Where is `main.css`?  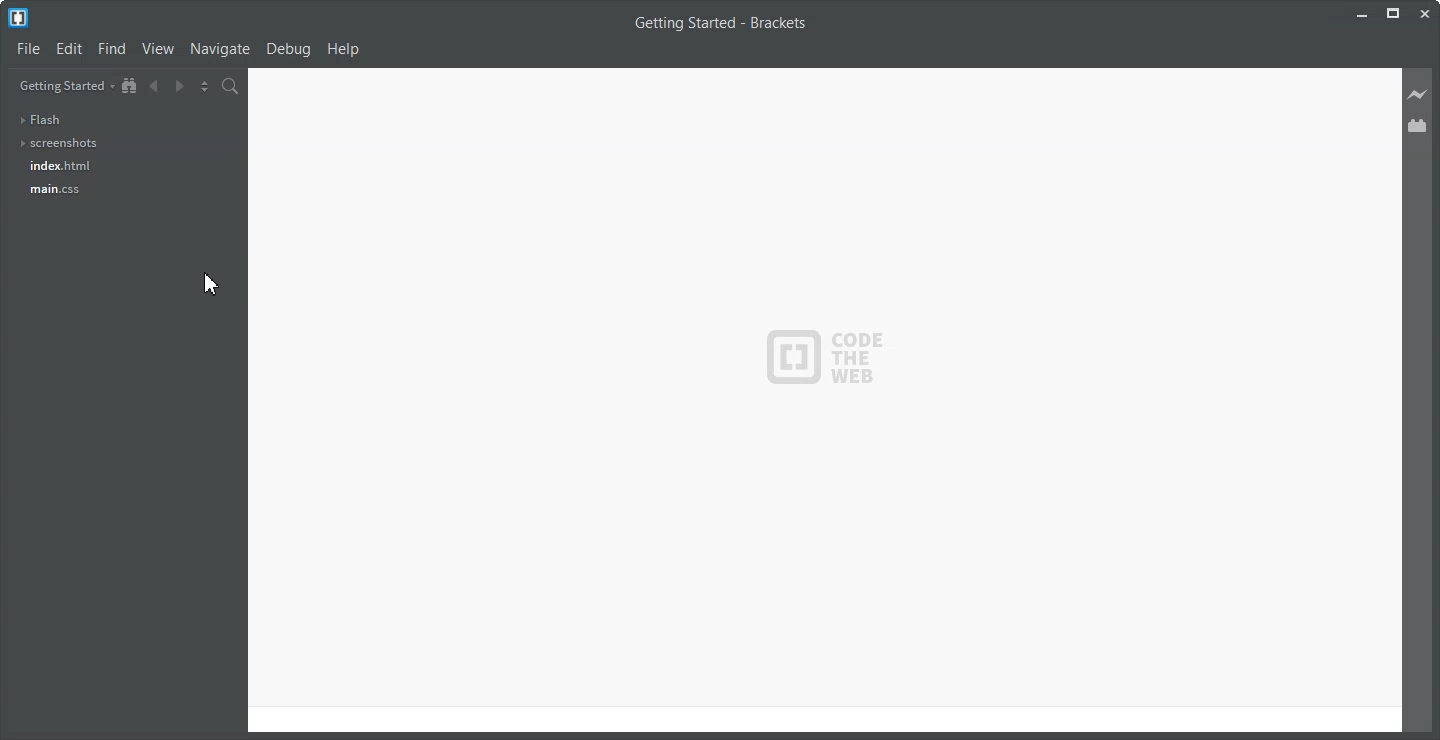 main.css is located at coordinates (55, 190).